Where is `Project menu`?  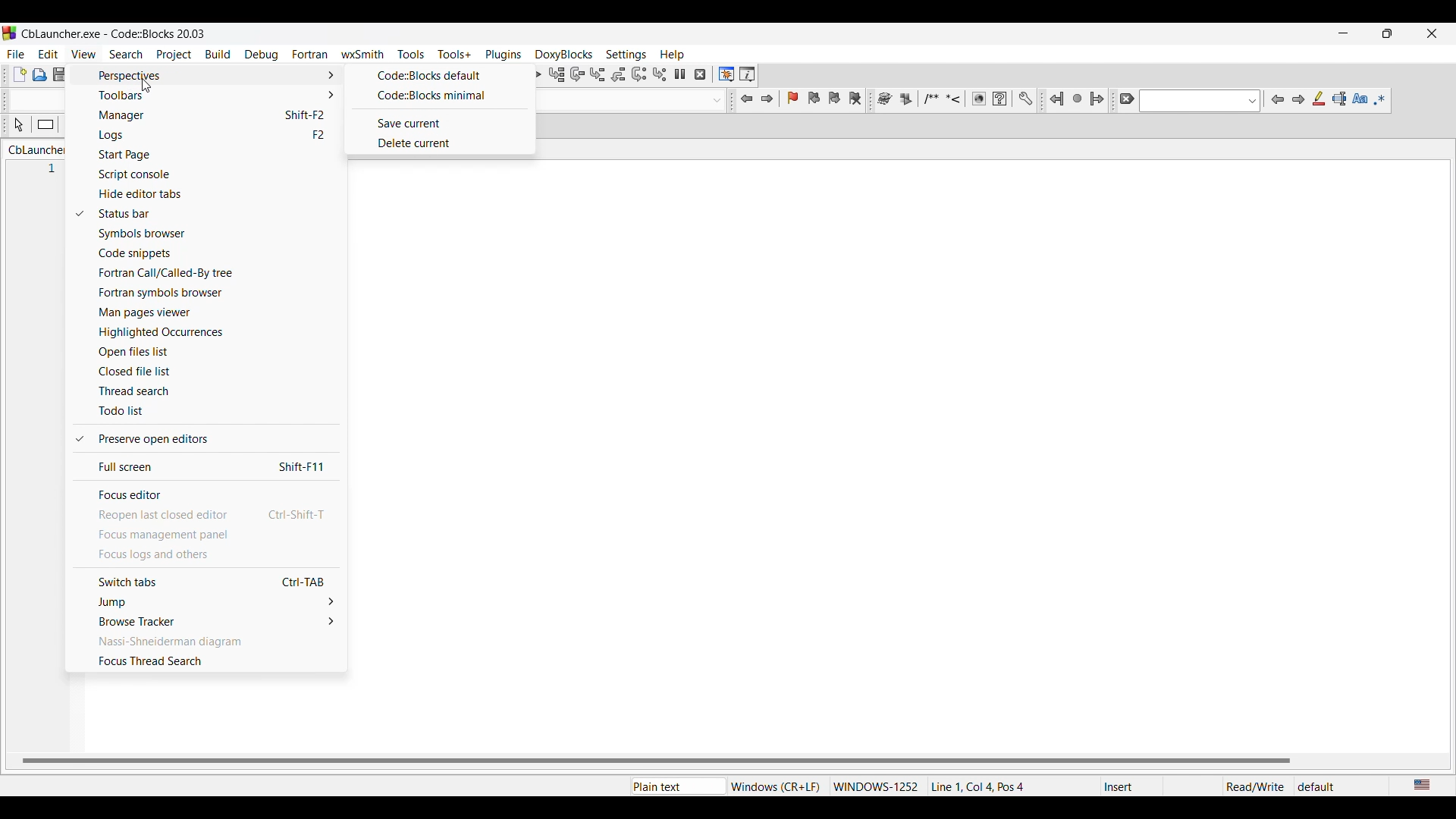 Project menu is located at coordinates (174, 55).